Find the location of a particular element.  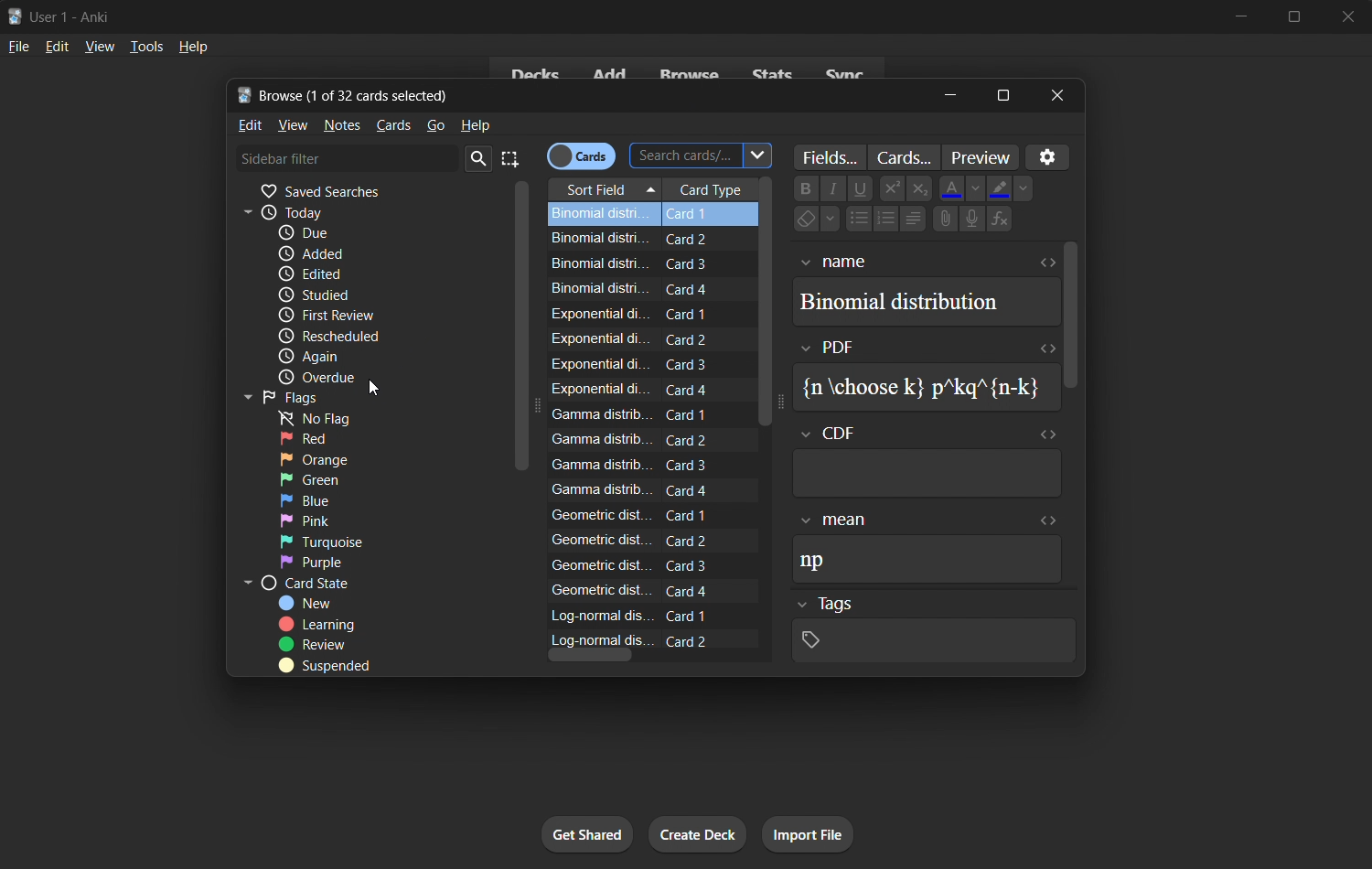

 is located at coordinates (1002, 221).